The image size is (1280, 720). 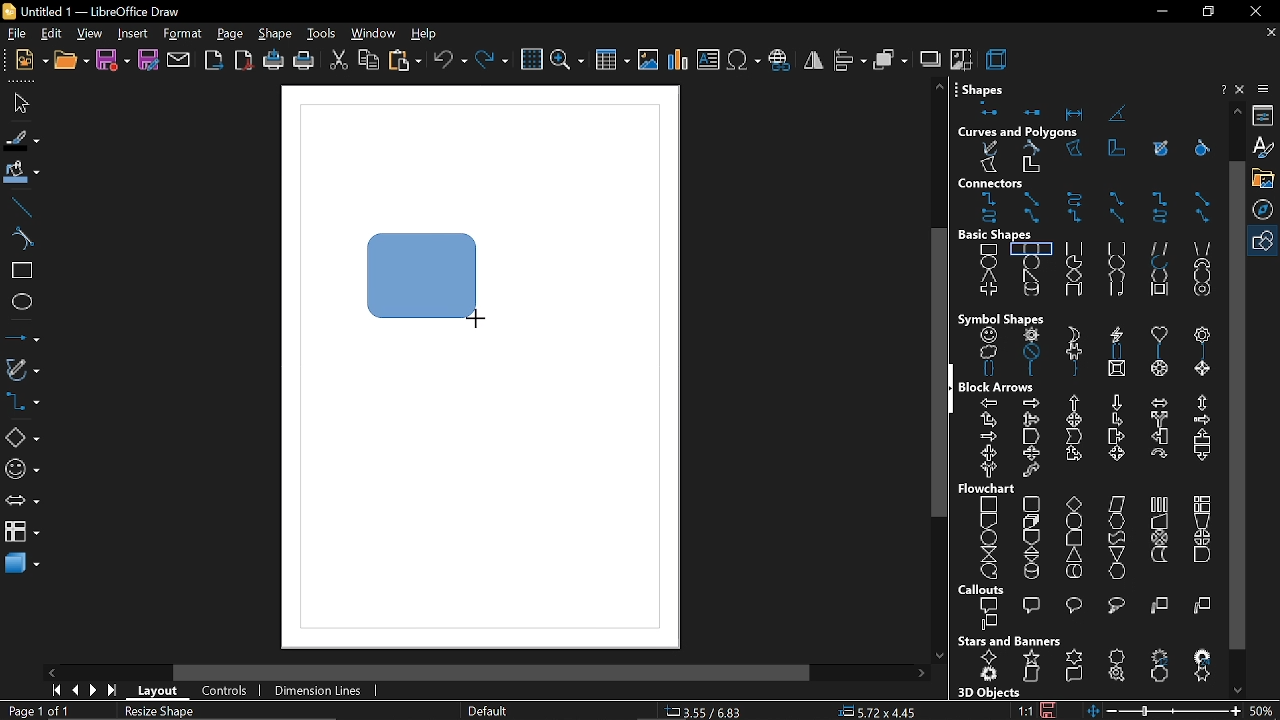 I want to click on resize shape, so click(x=162, y=713).